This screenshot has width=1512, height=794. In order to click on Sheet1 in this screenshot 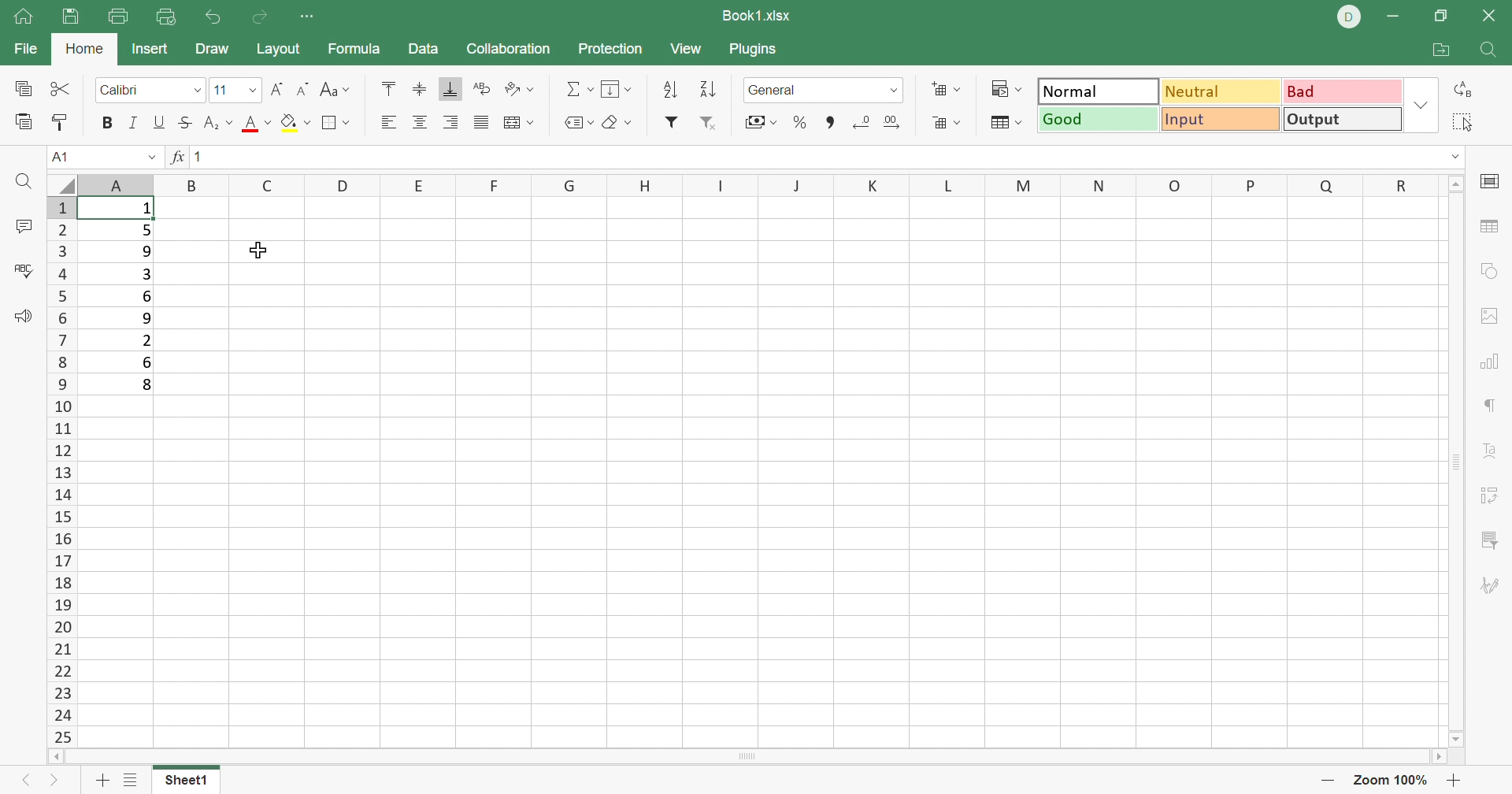, I will do `click(187, 782)`.